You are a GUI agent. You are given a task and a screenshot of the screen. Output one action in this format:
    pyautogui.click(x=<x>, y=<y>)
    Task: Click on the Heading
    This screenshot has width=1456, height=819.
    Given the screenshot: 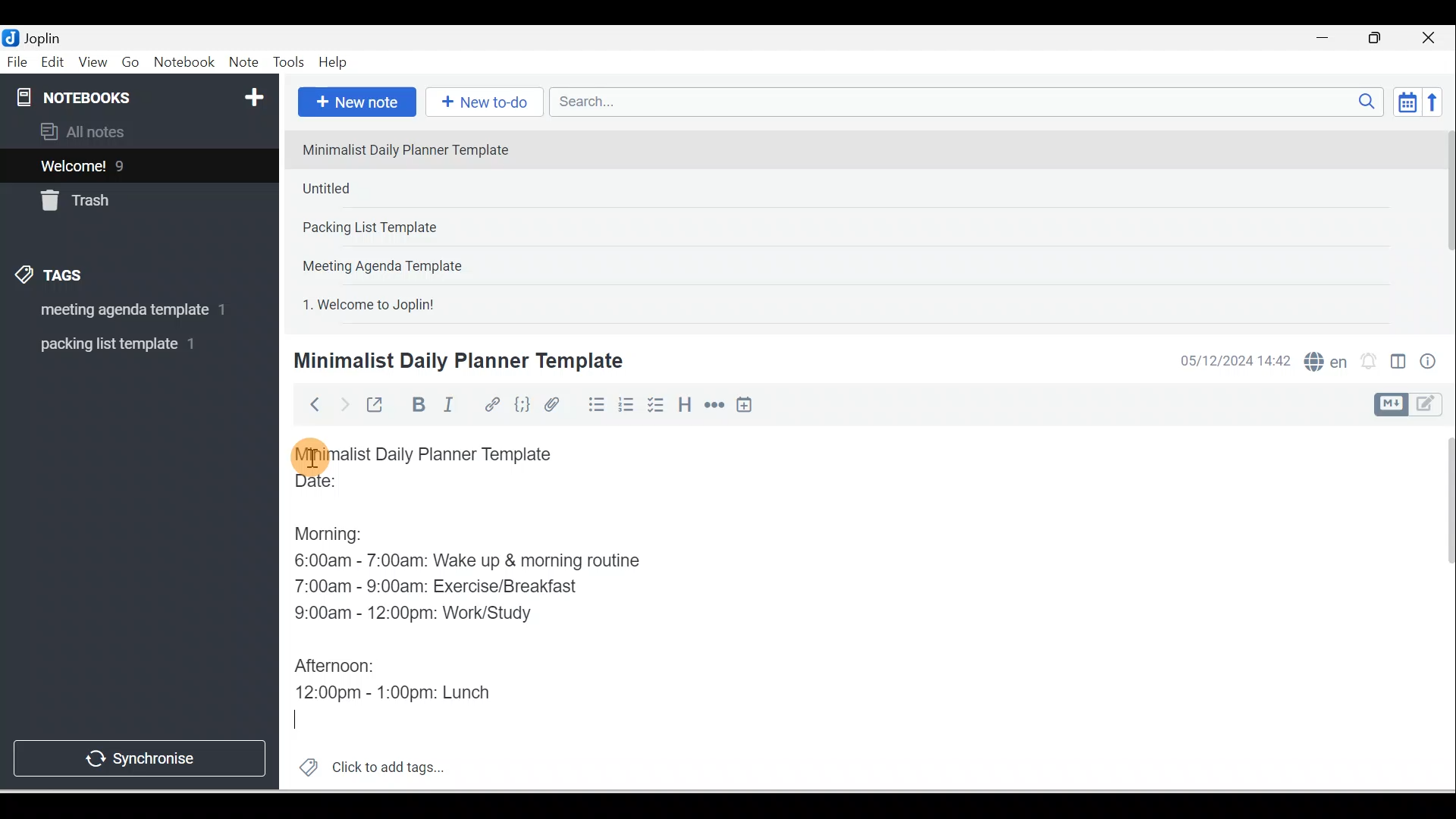 What is the action you would take?
    pyautogui.click(x=684, y=403)
    